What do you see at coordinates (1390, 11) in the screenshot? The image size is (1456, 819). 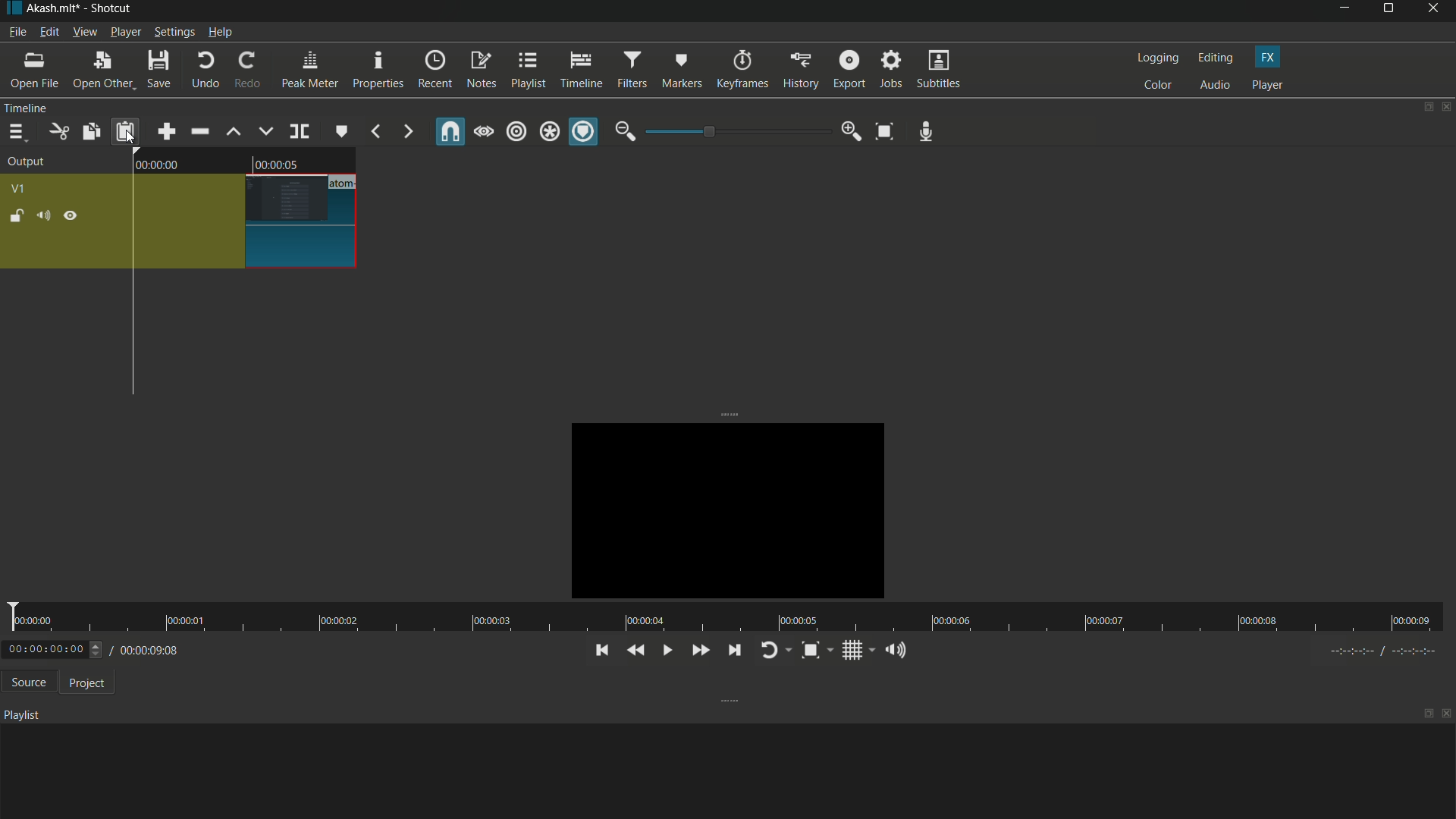 I see `maximize` at bounding box center [1390, 11].